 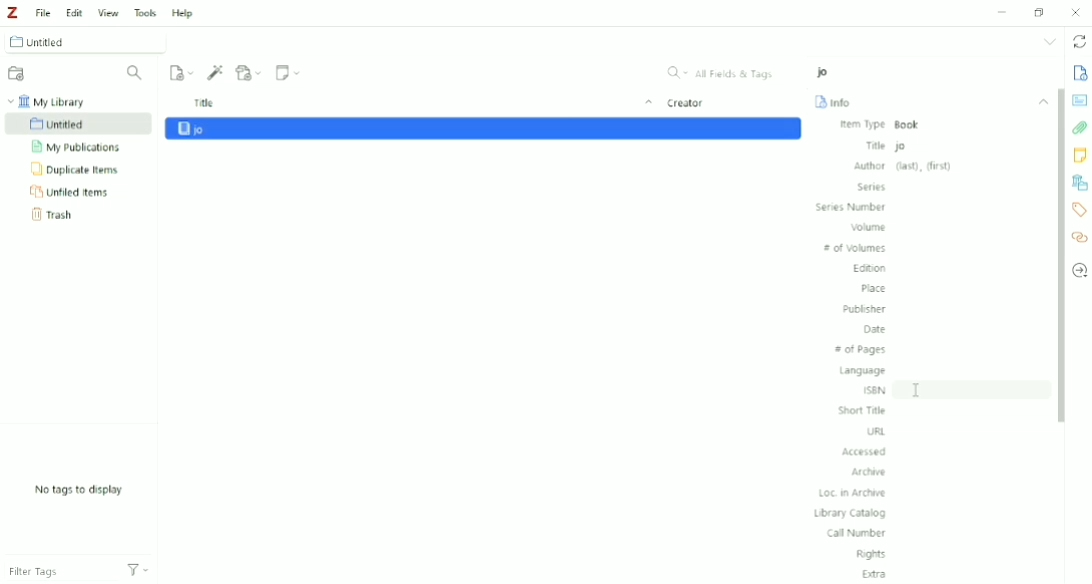 What do you see at coordinates (107, 14) in the screenshot?
I see `View` at bounding box center [107, 14].